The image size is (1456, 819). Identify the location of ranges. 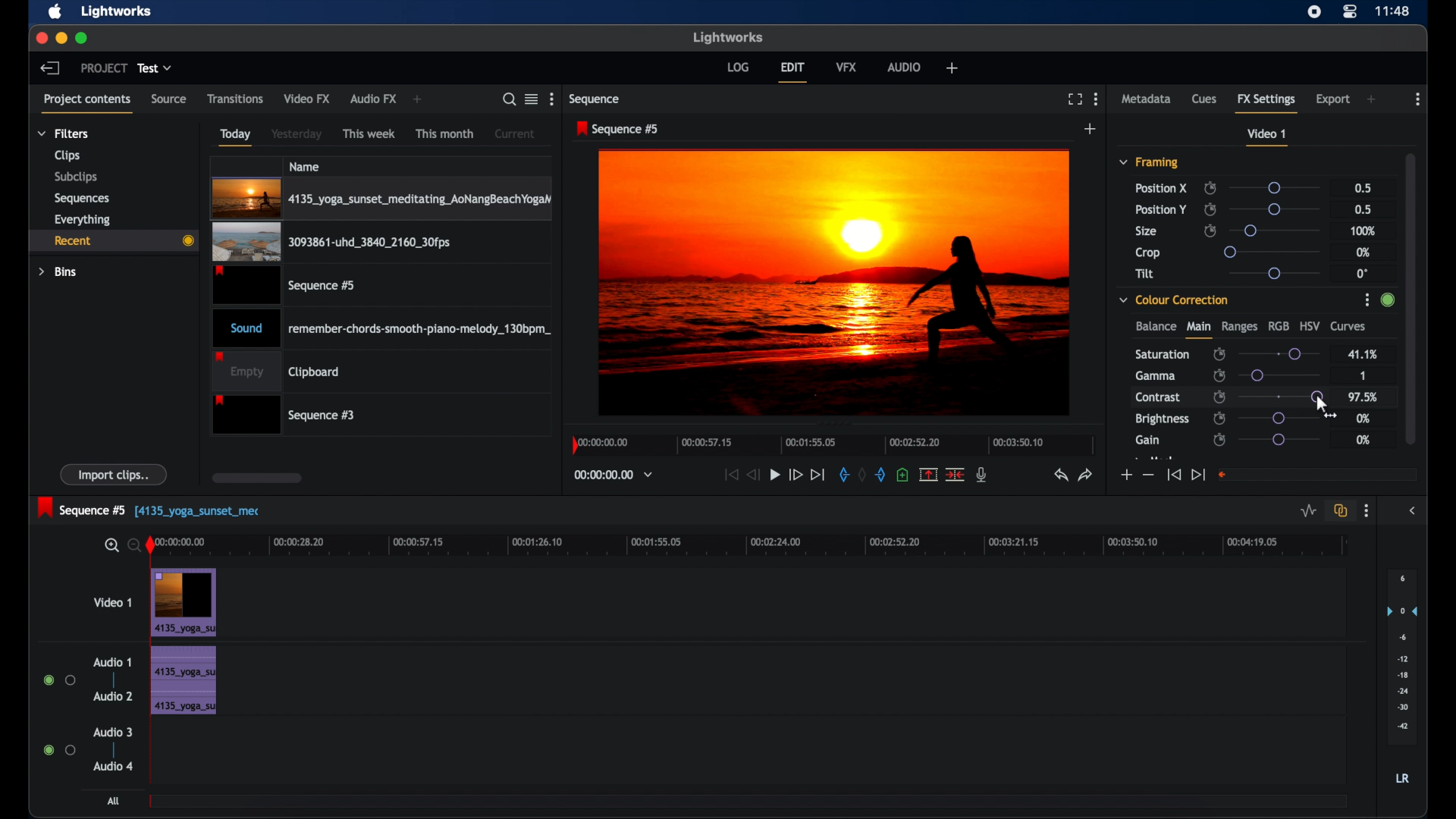
(1239, 327).